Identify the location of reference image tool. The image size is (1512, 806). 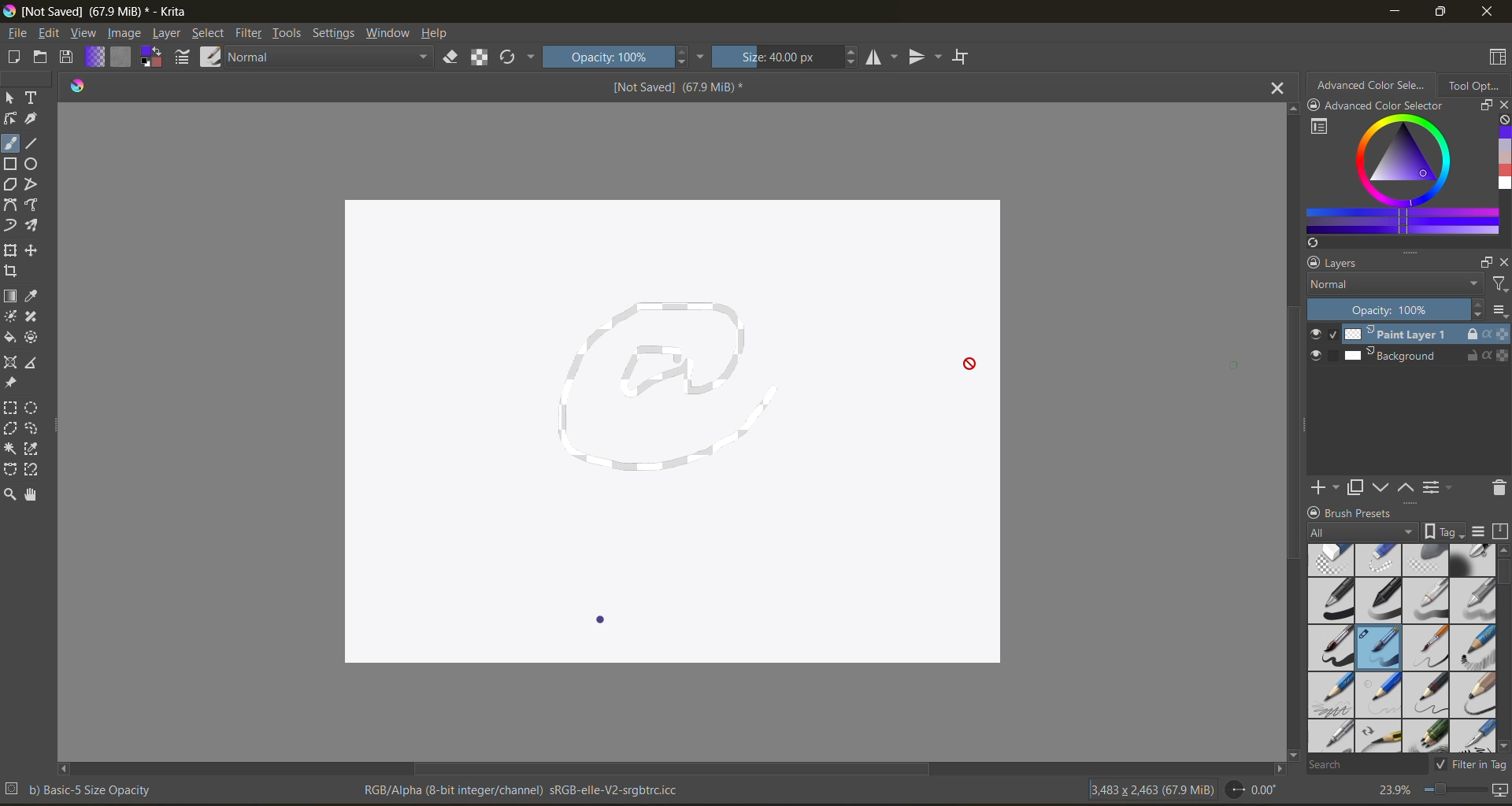
(10, 383).